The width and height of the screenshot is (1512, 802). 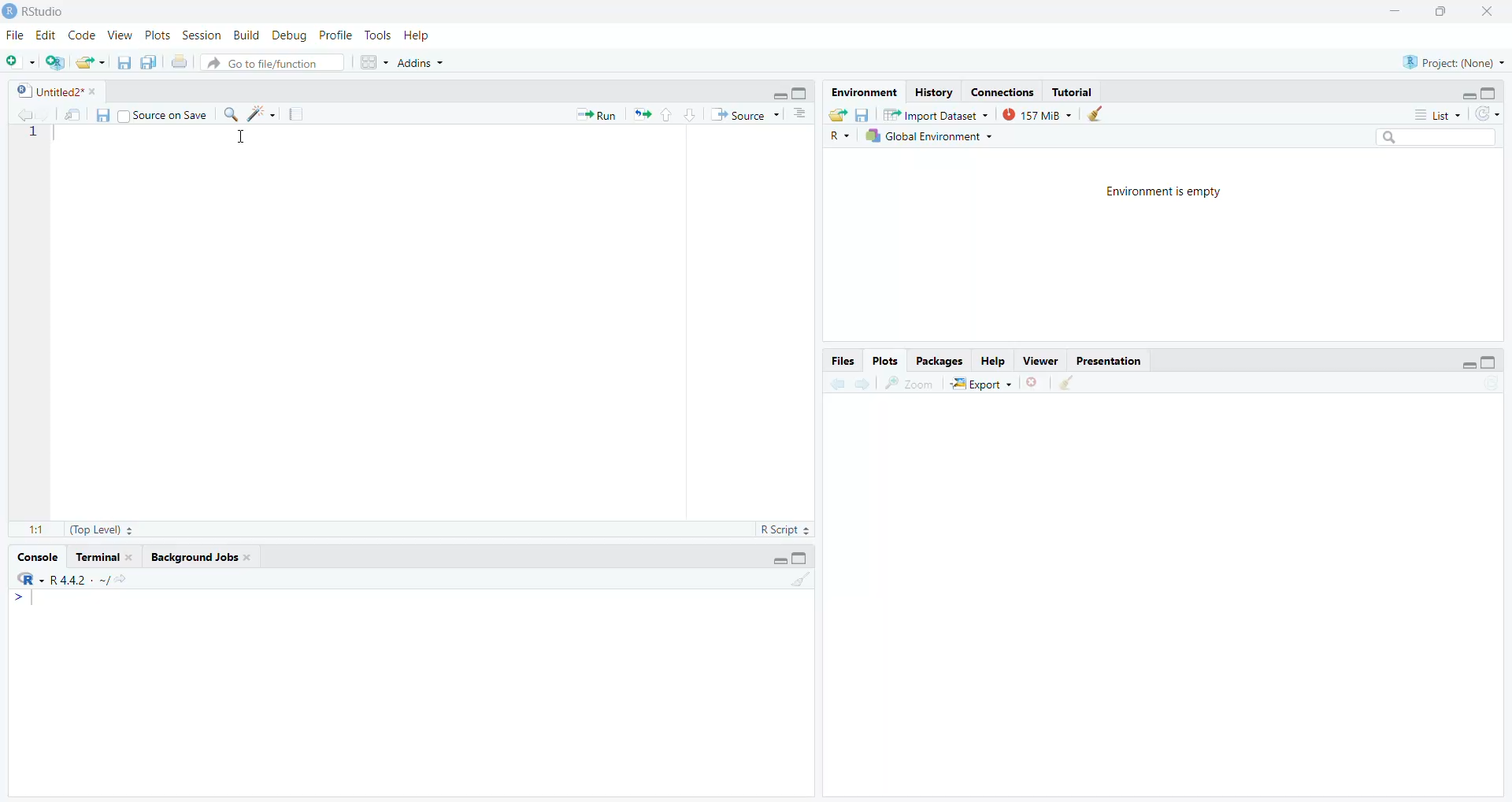 What do you see at coordinates (242, 137) in the screenshot?
I see `cursor` at bounding box center [242, 137].